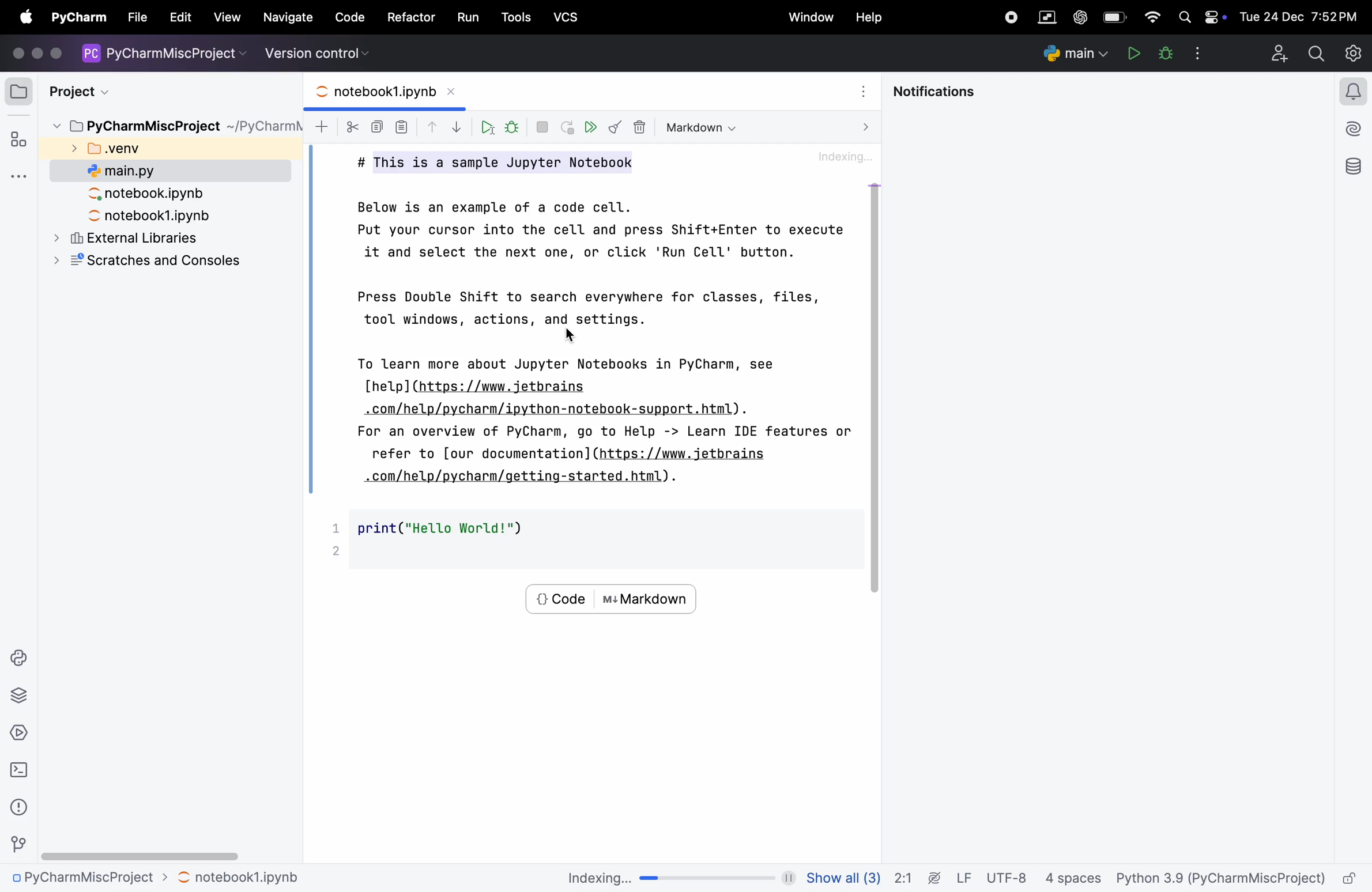 This screenshot has width=1372, height=892. Describe the element at coordinates (1133, 52) in the screenshot. I see `pause play` at that location.